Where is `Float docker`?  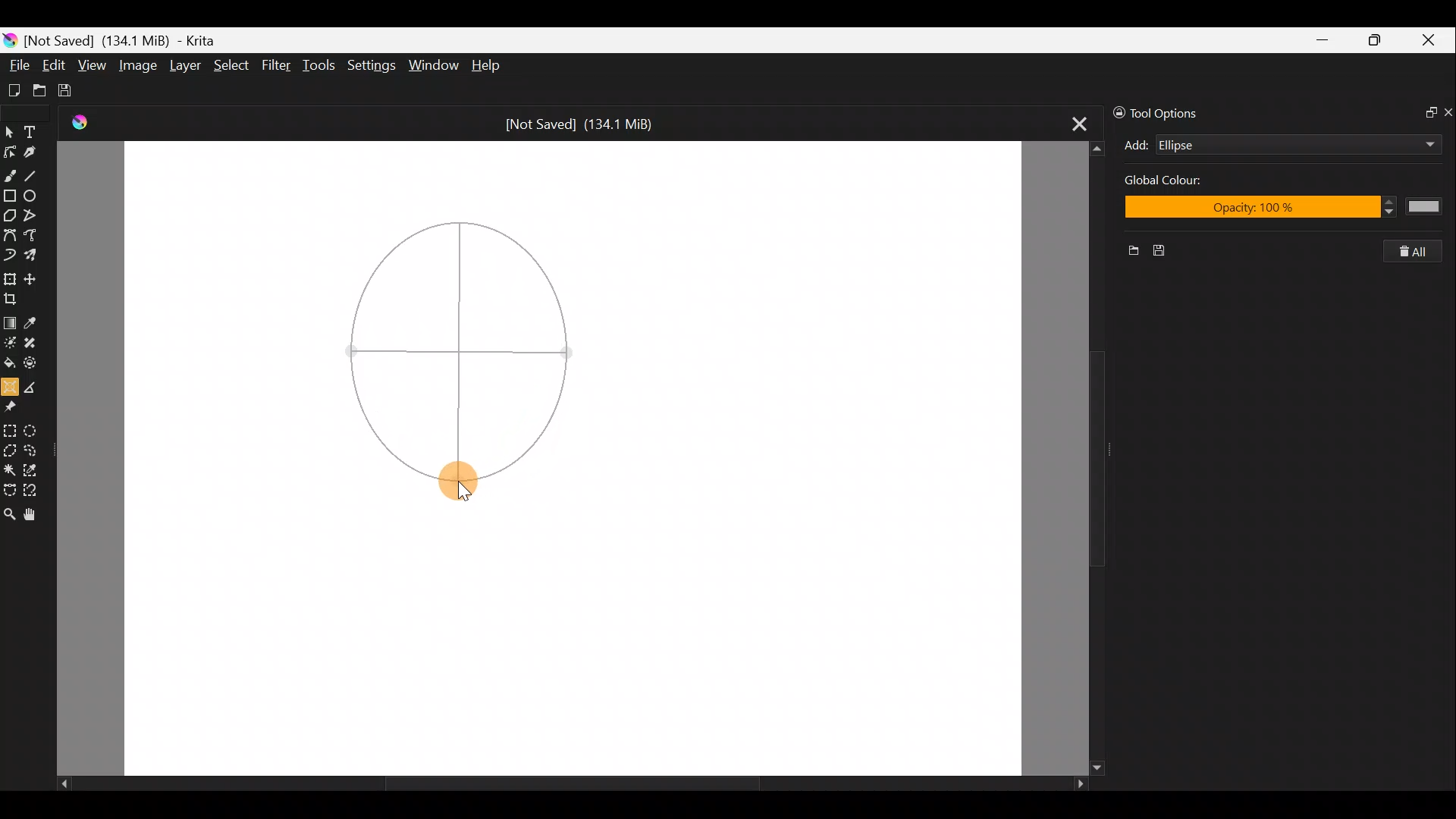
Float docker is located at coordinates (1424, 114).